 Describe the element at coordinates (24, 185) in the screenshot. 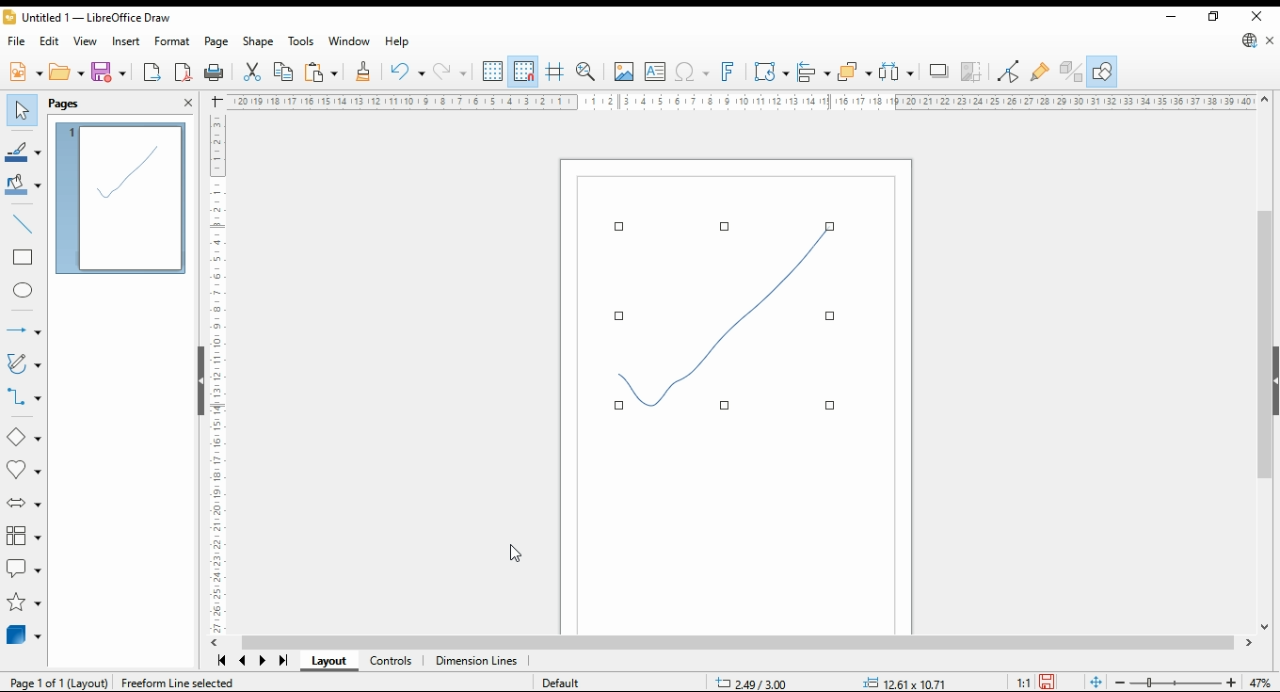

I see `fill color` at that location.